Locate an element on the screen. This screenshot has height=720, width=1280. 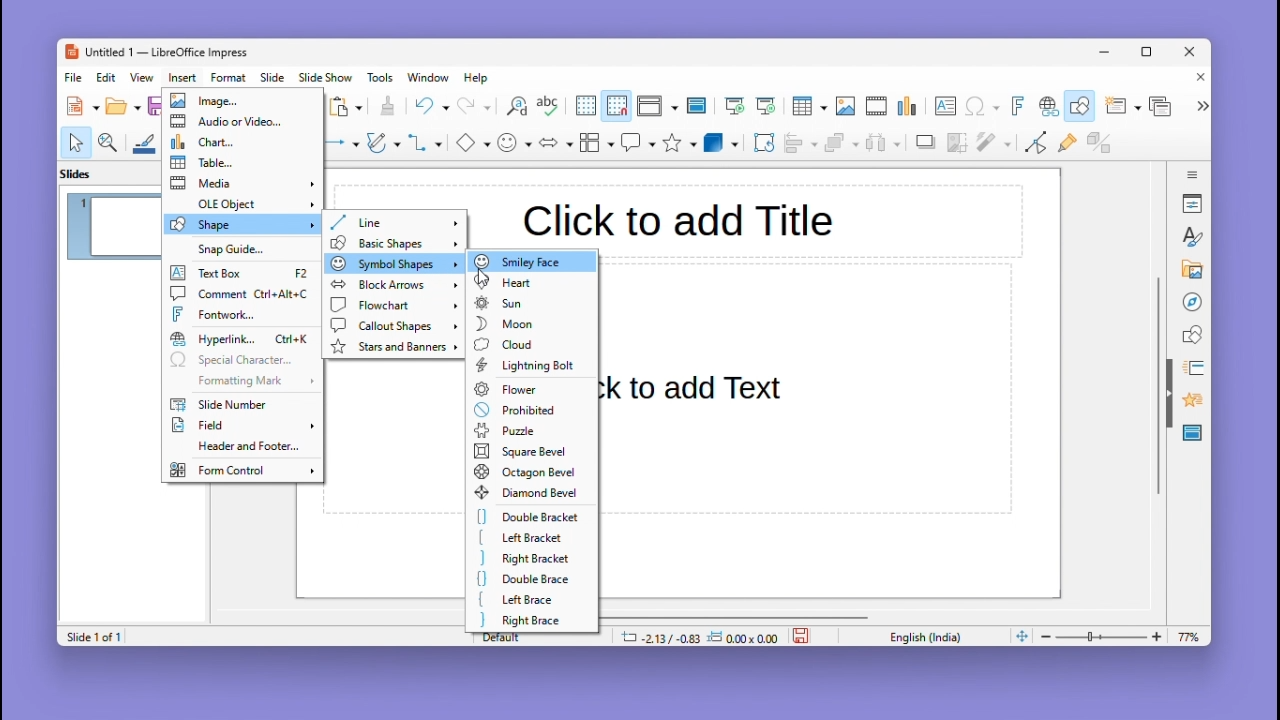
snap to grid is located at coordinates (616, 106).